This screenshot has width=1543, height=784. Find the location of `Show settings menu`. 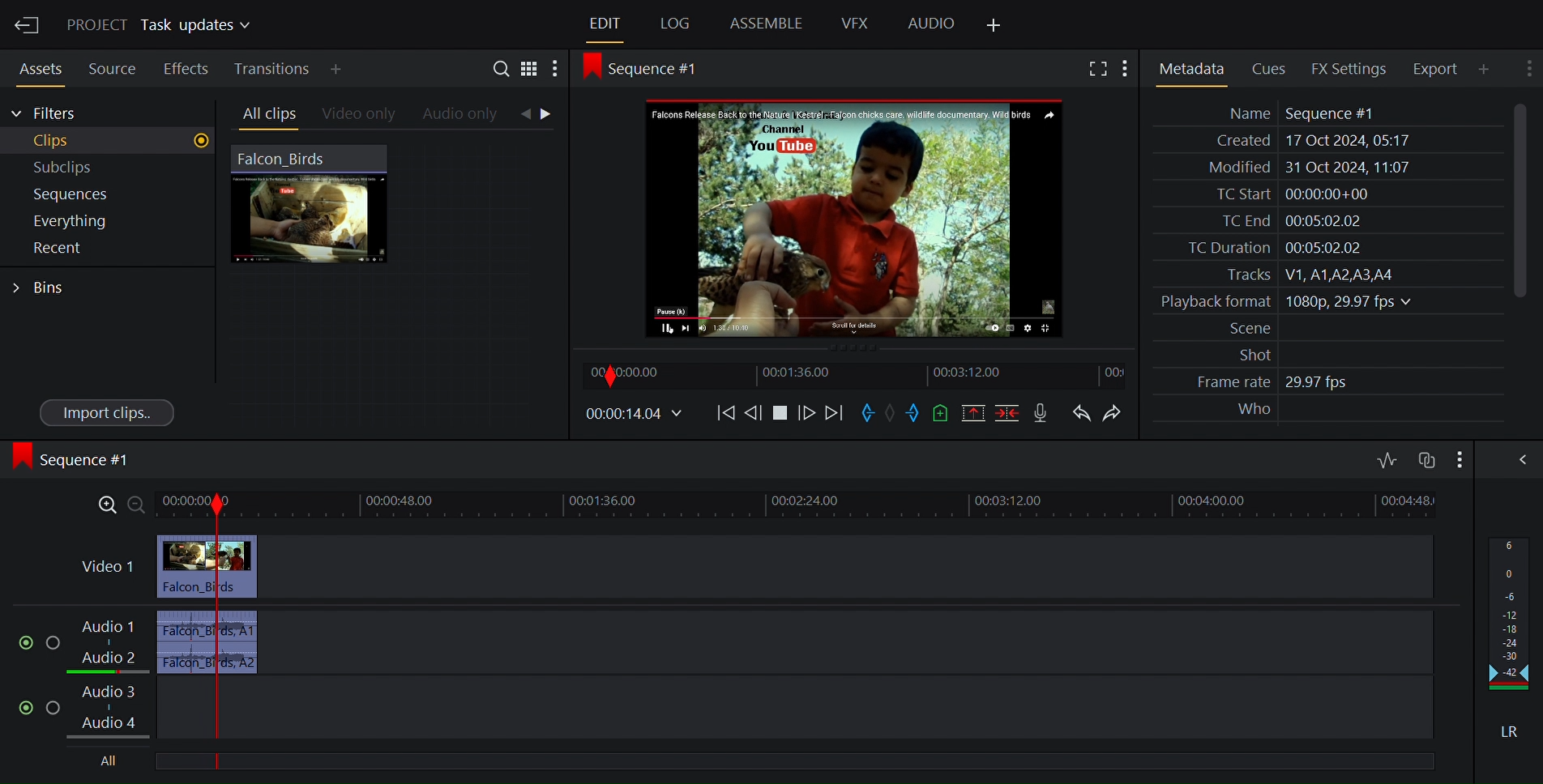

Show settings menu is located at coordinates (1527, 70).